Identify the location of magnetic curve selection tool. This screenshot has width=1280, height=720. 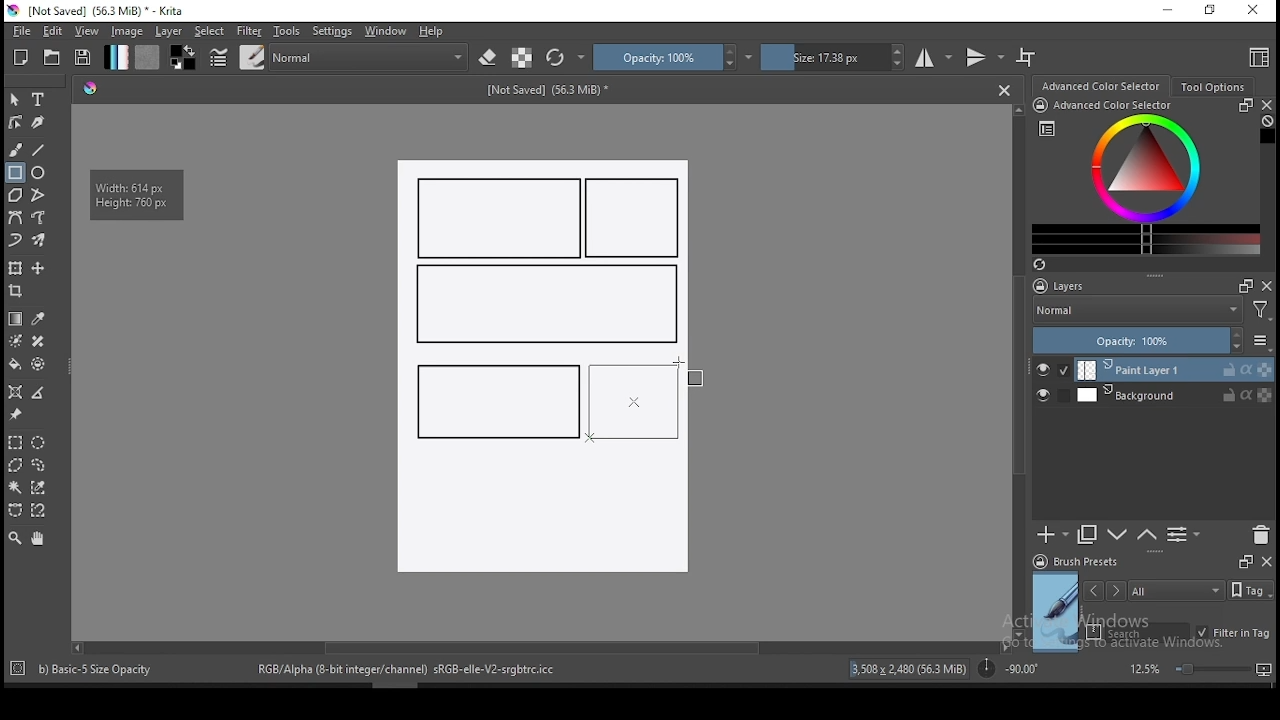
(36, 510).